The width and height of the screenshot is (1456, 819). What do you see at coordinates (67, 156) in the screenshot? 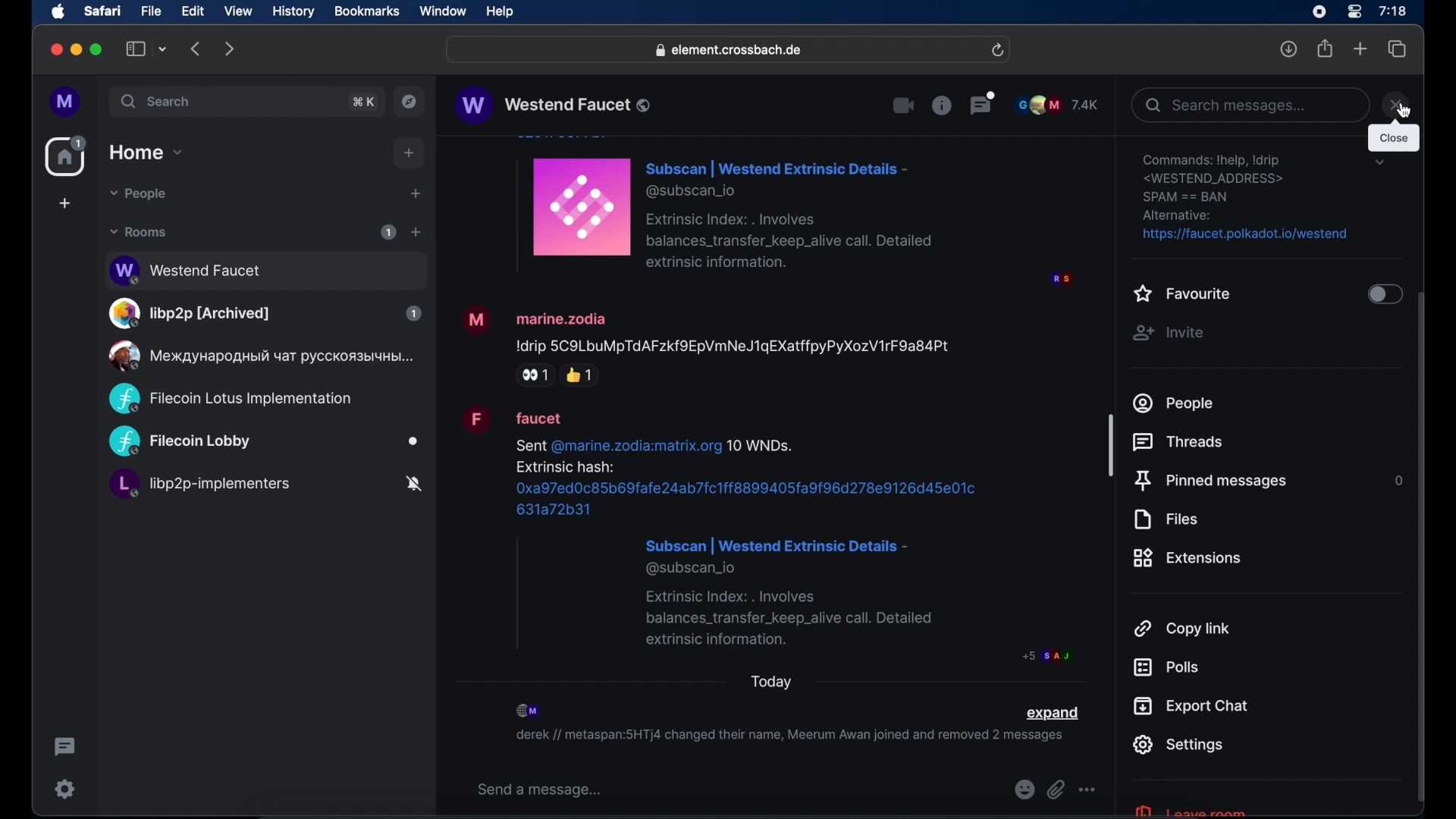
I see `home` at bounding box center [67, 156].